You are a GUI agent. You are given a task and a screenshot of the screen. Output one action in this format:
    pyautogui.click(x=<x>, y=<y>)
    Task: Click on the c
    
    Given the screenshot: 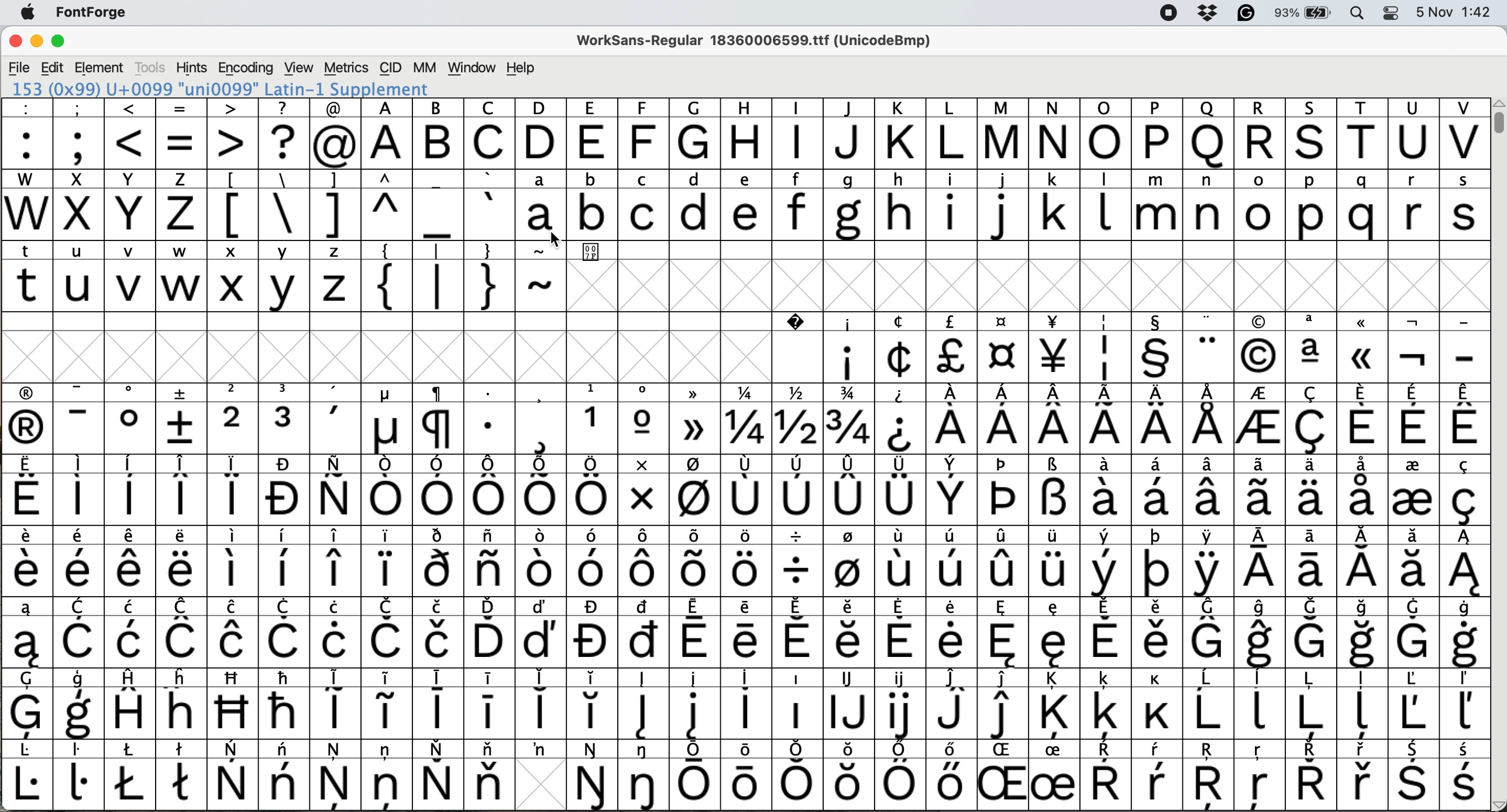 What is the action you would take?
    pyautogui.click(x=646, y=206)
    